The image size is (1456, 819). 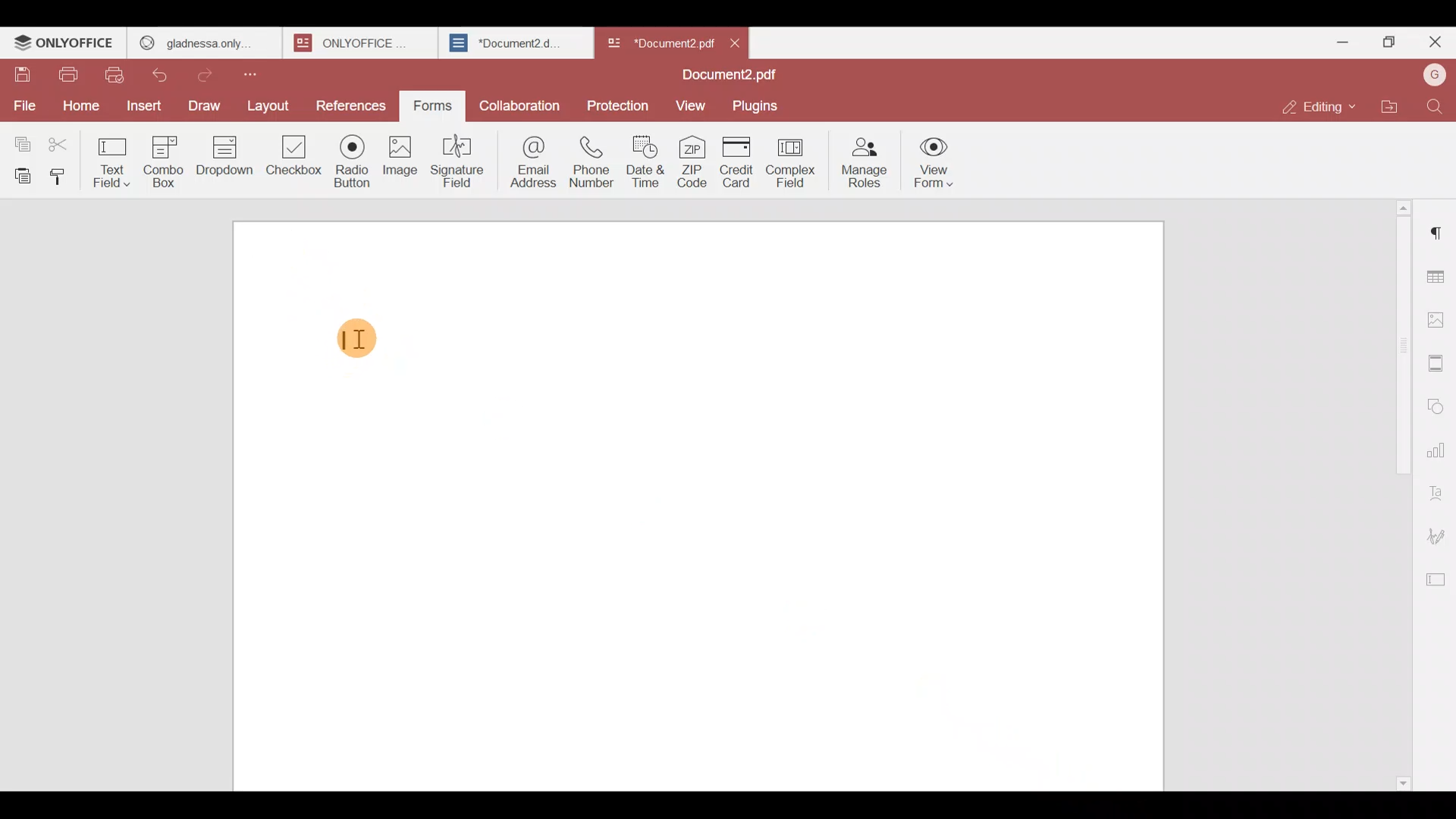 What do you see at coordinates (1439, 227) in the screenshot?
I see `Paragraph settings` at bounding box center [1439, 227].